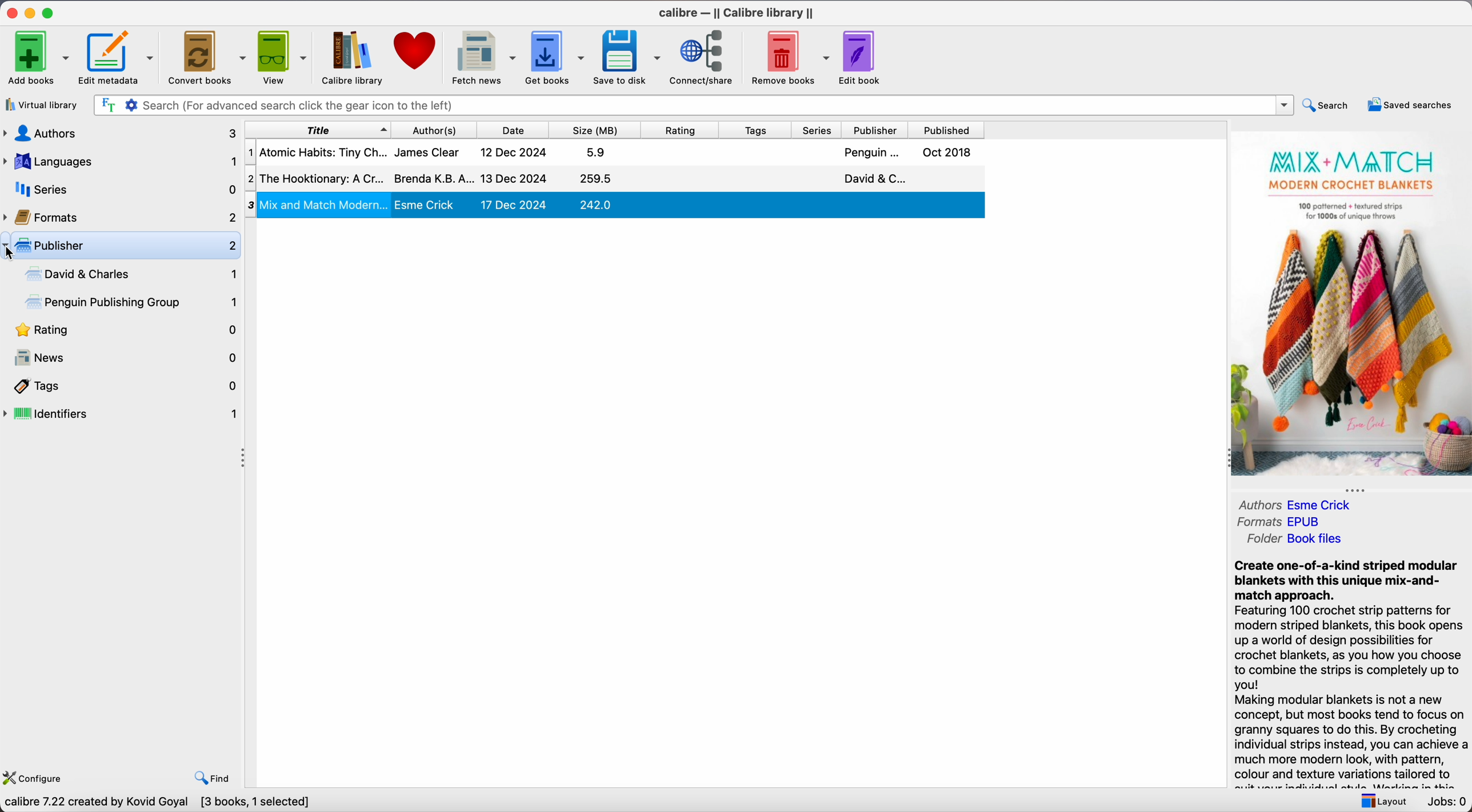  I want to click on donate, so click(416, 52).